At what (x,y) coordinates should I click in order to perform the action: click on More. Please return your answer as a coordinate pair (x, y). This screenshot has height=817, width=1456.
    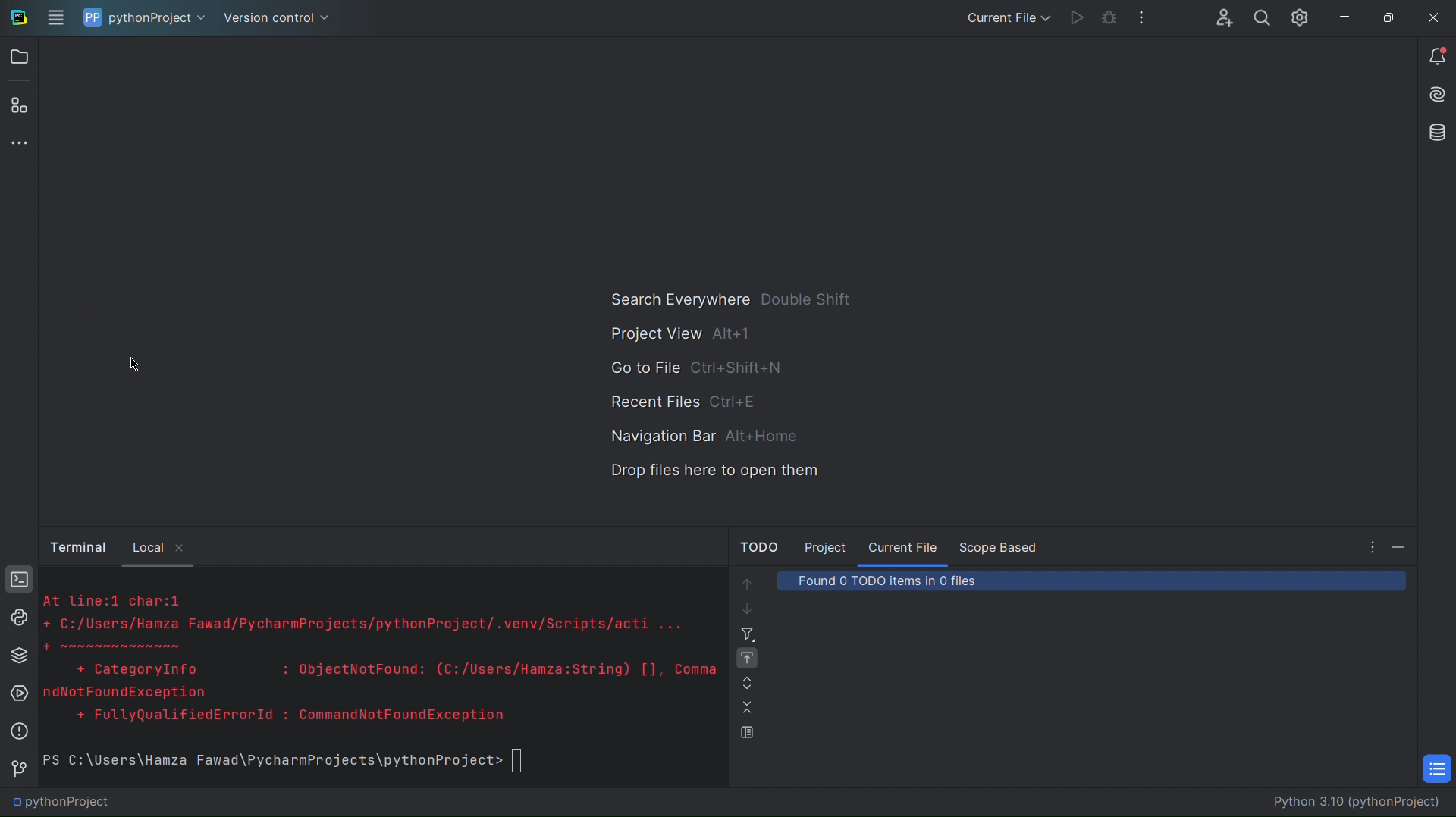
    Looking at the image, I should click on (1364, 544).